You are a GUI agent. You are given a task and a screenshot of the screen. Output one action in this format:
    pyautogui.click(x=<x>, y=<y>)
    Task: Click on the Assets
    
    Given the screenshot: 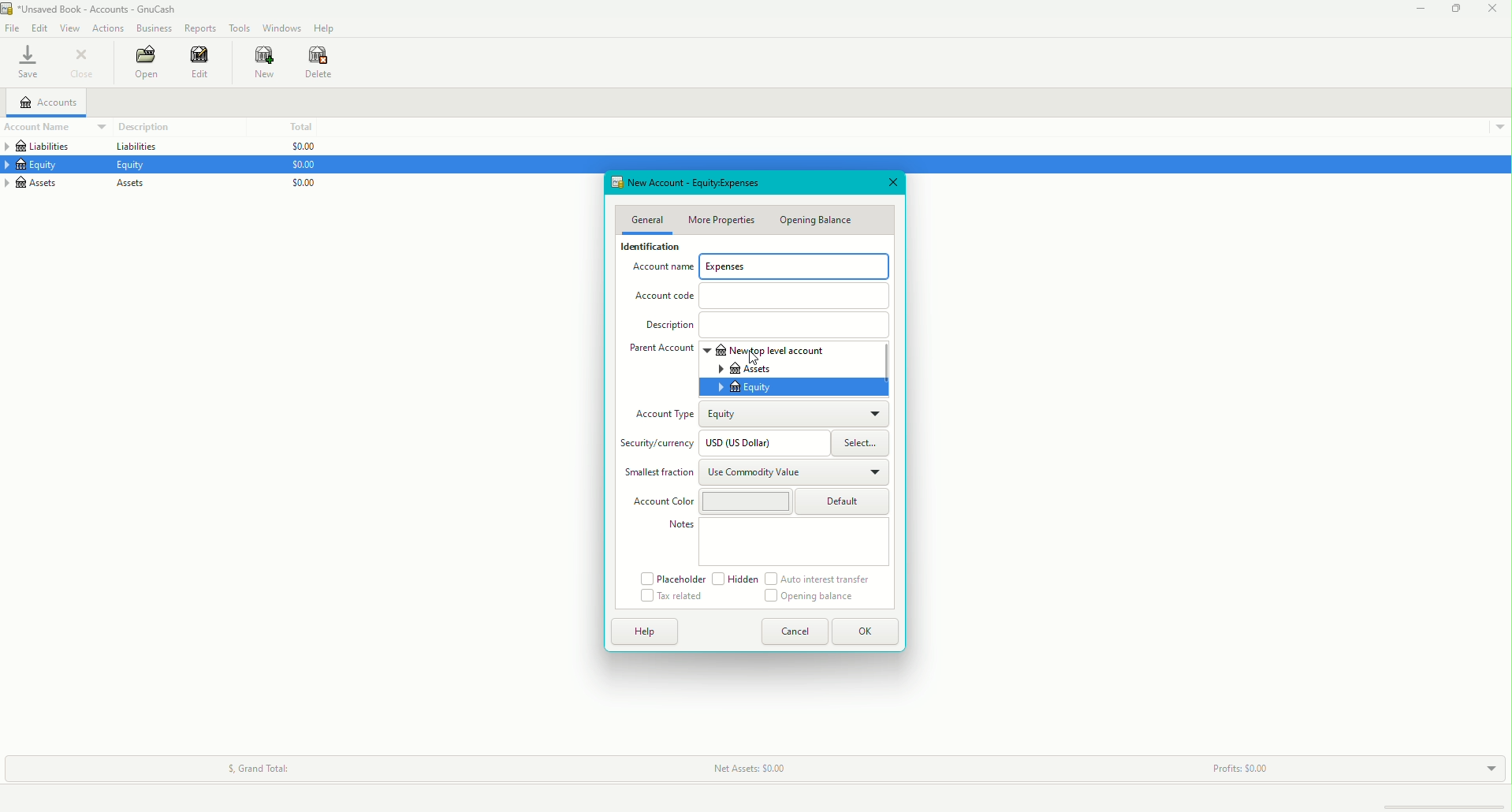 What is the action you would take?
    pyautogui.click(x=806, y=369)
    